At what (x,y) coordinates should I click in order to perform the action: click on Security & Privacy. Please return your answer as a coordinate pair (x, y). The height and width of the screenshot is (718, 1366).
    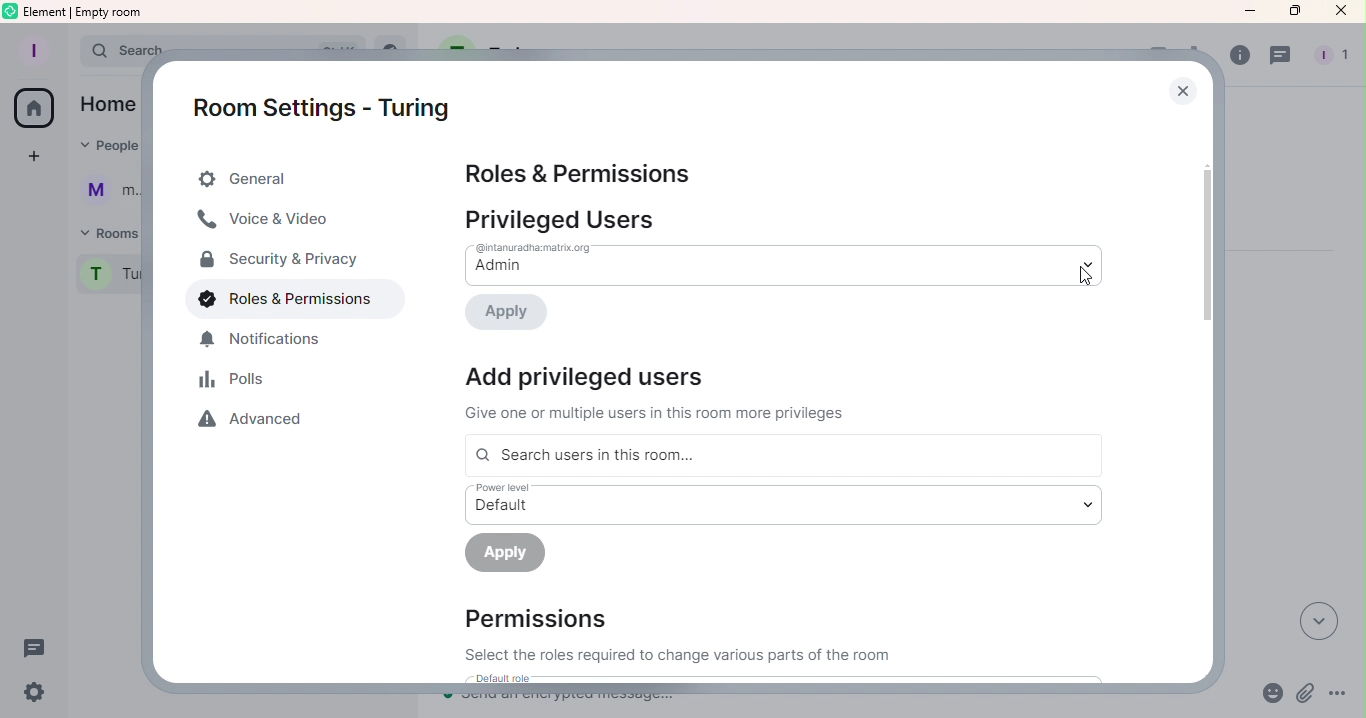
    Looking at the image, I should click on (281, 260).